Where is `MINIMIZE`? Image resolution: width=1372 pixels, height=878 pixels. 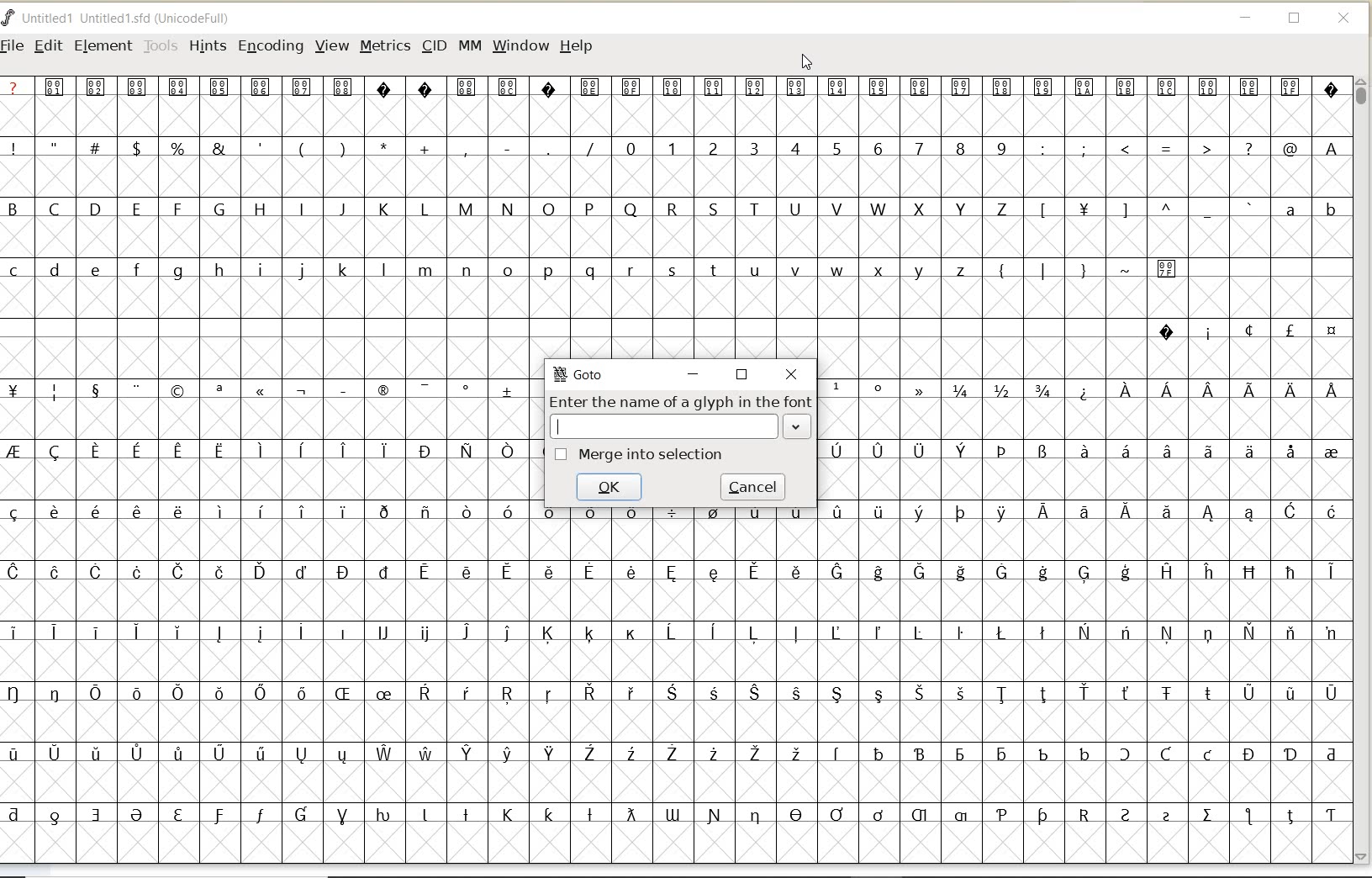 MINIMIZE is located at coordinates (1247, 20).